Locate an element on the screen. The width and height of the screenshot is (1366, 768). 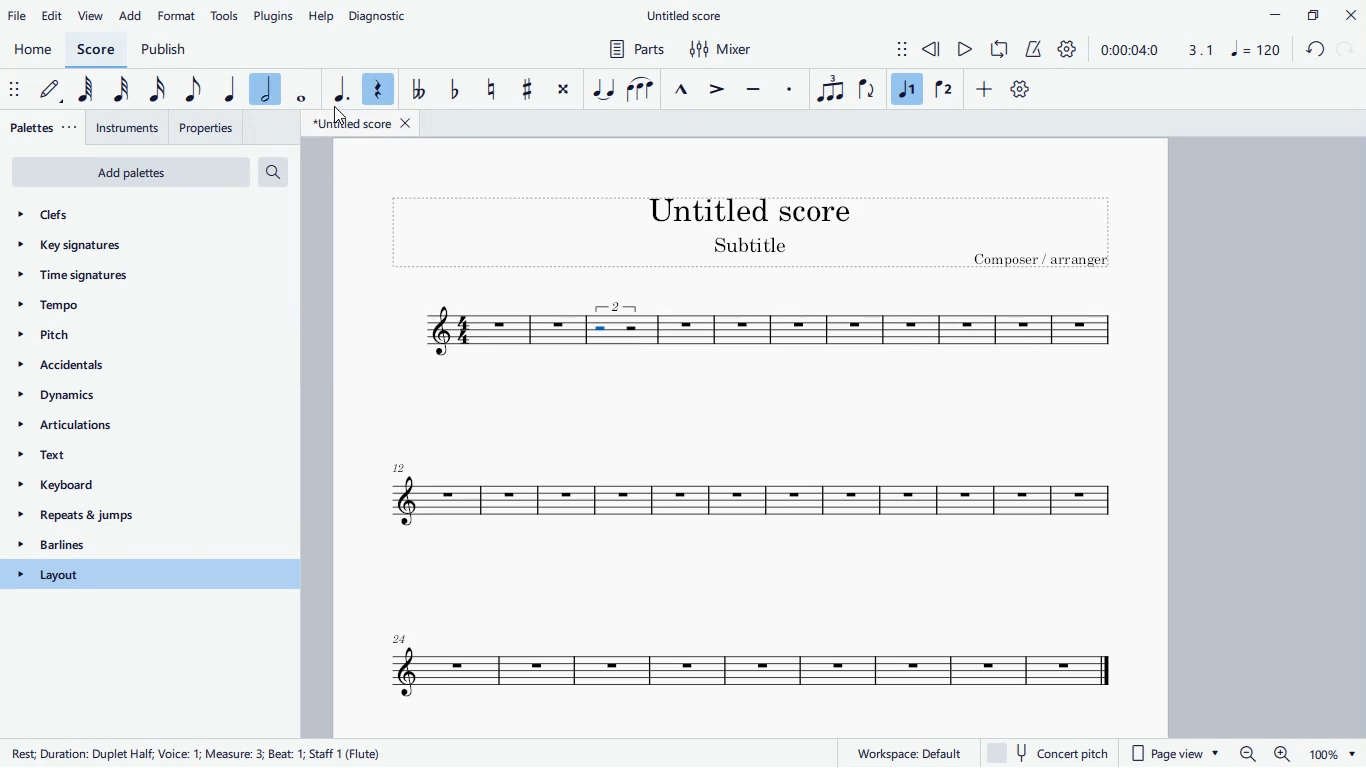
minimize is located at coordinates (1268, 14).